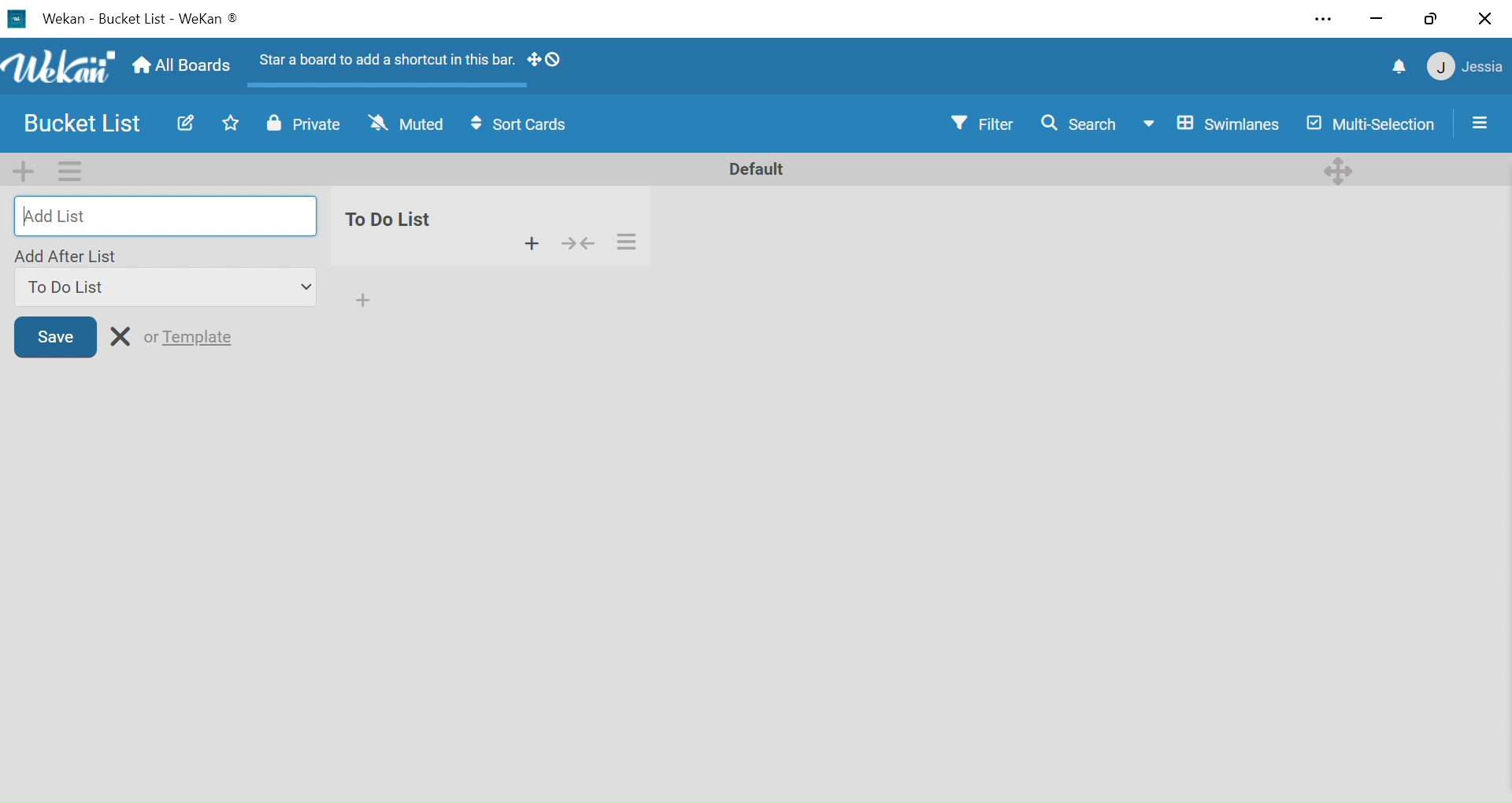 Image resolution: width=1512 pixels, height=803 pixels. Describe the element at coordinates (69, 170) in the screenshot. I see `Swimlane Actions` at that location.